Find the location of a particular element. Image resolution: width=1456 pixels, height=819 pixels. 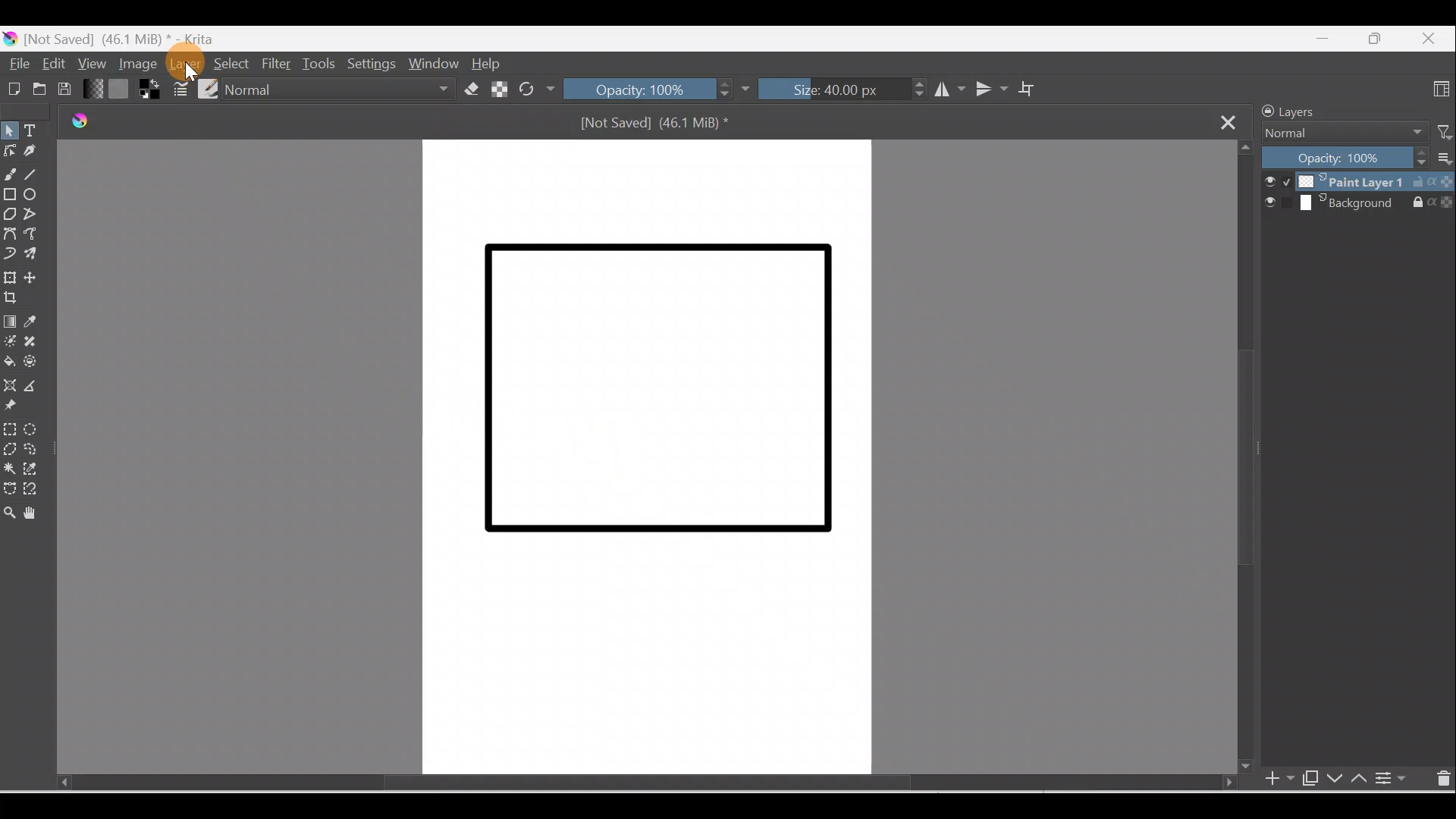

Add layer is located at coordinates (1270, 780).